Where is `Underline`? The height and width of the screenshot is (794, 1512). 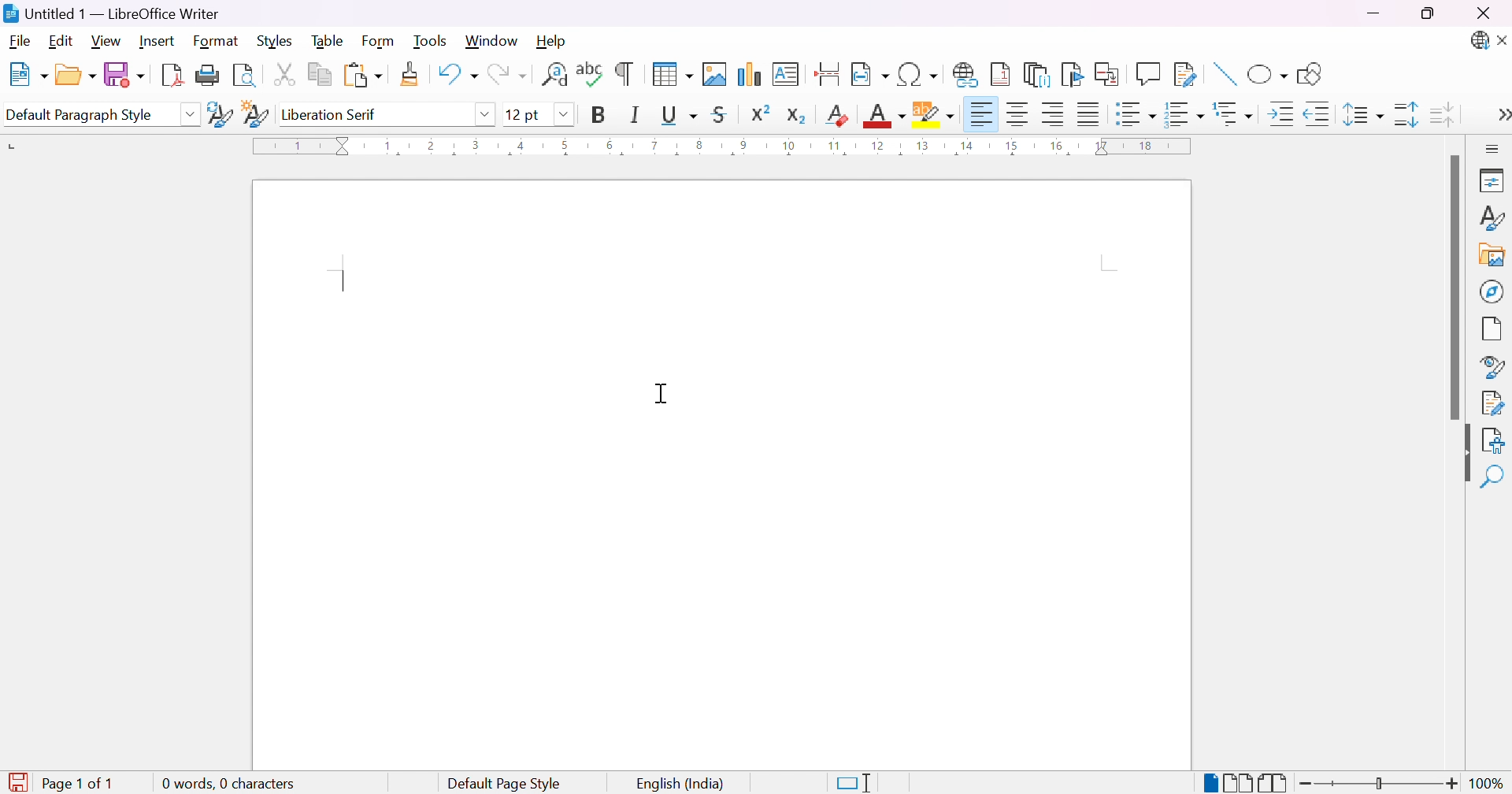
Underline is located at coordinates (678, 114).